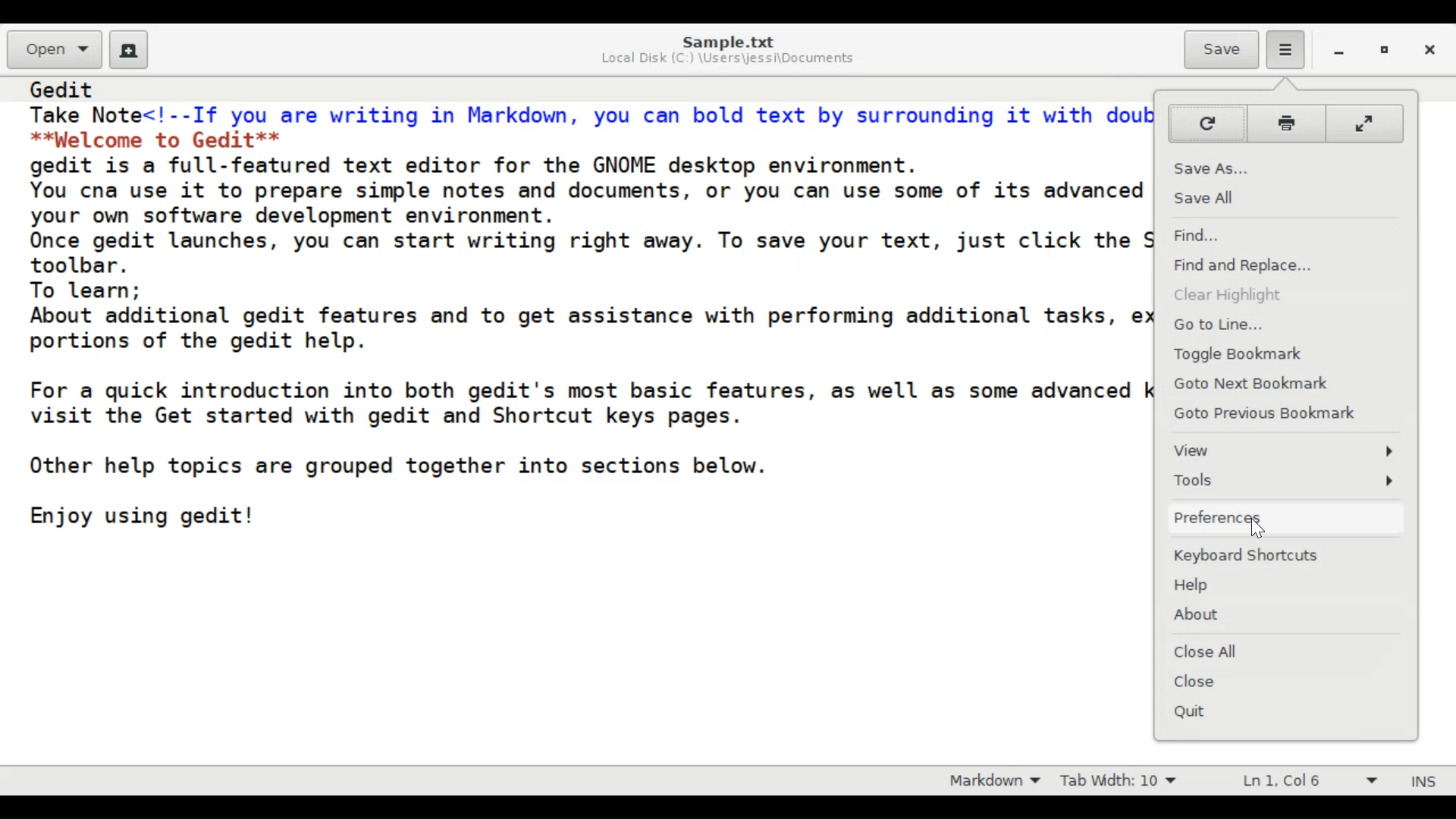 The height and width of the screenshot is (819, 1456). Describe the element at coordinates (1254, 558) in the screenshot. I see `Keyboard shortcuts` at that location.